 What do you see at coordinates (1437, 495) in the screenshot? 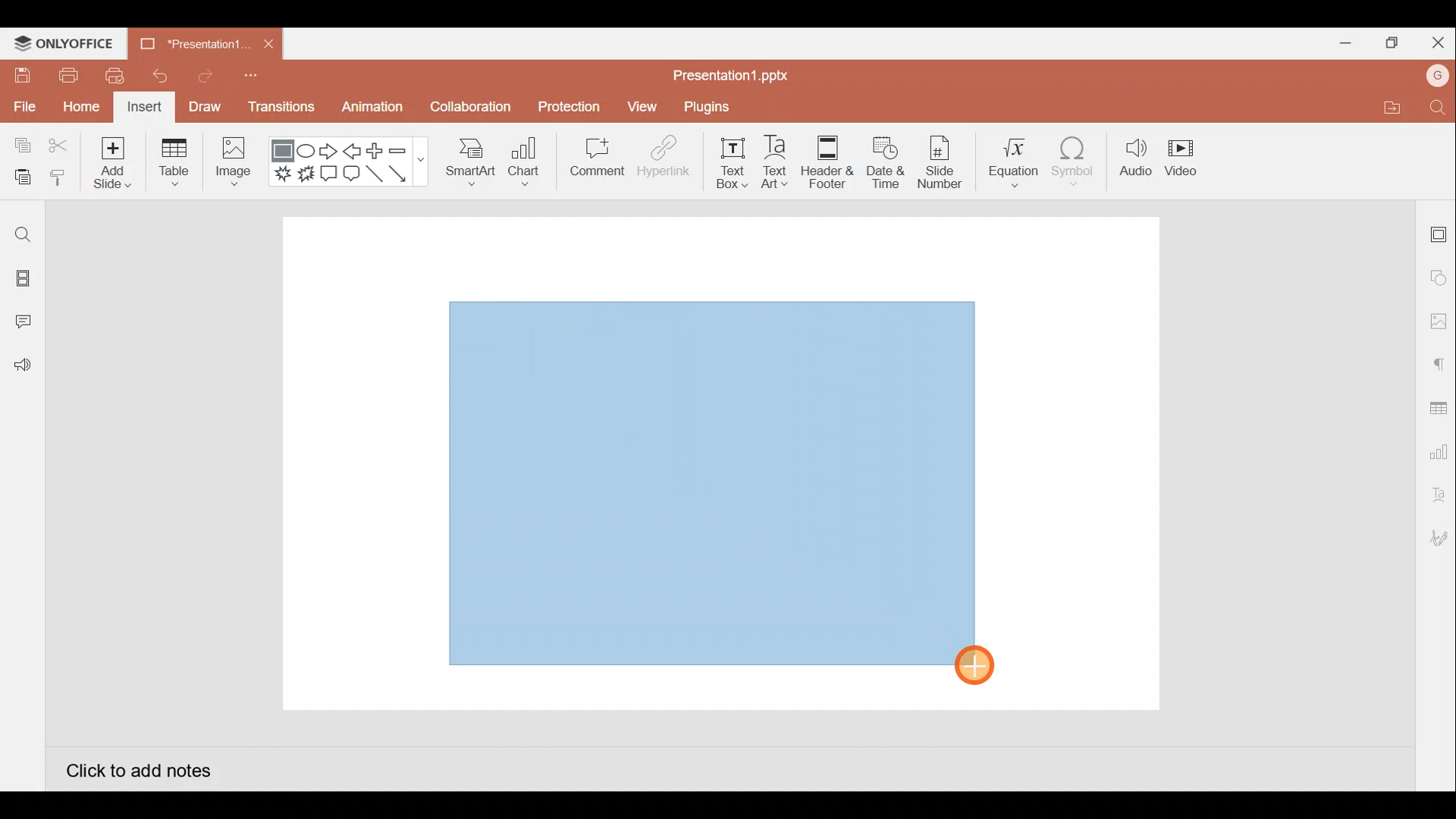
I see `Text Art settings` at bounding box center [1437, 495].